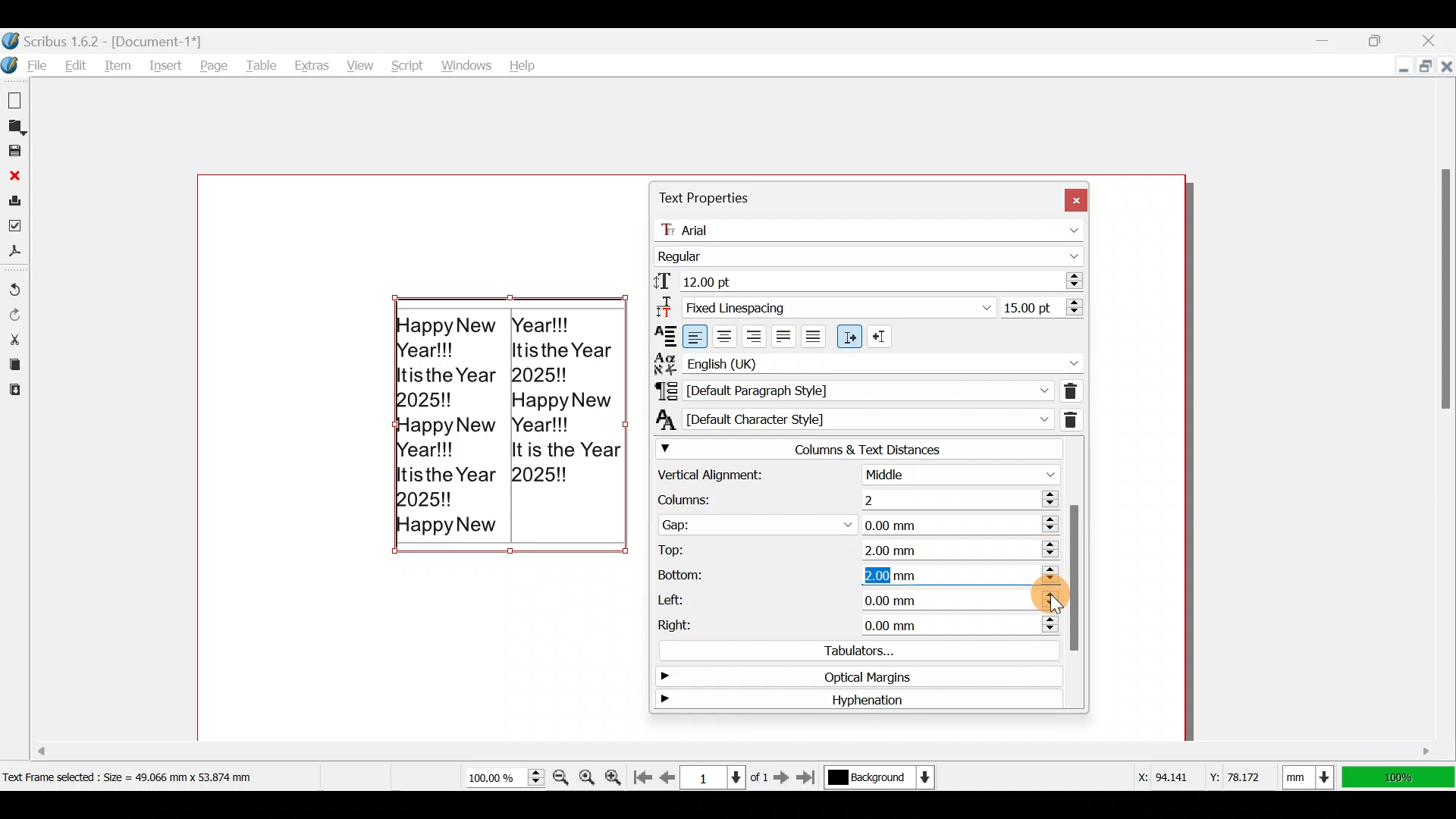 The width and height of the screenshot is (1456, 819). What do you see at coordinates (878, 778) in the screenshot?
I see `Select current layer` at bounding box center [878, 778].